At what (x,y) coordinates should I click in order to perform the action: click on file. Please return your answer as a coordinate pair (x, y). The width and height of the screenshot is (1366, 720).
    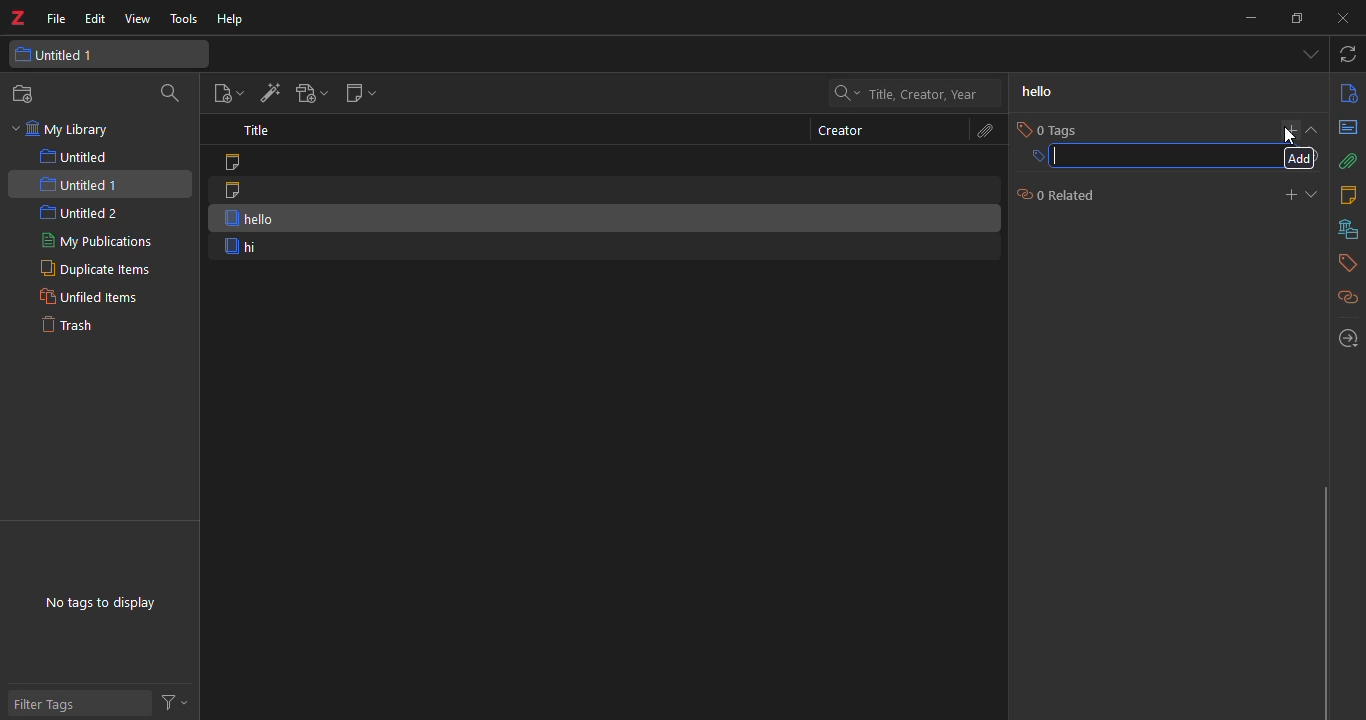
    Looking at the image, I should click on (57, 20).